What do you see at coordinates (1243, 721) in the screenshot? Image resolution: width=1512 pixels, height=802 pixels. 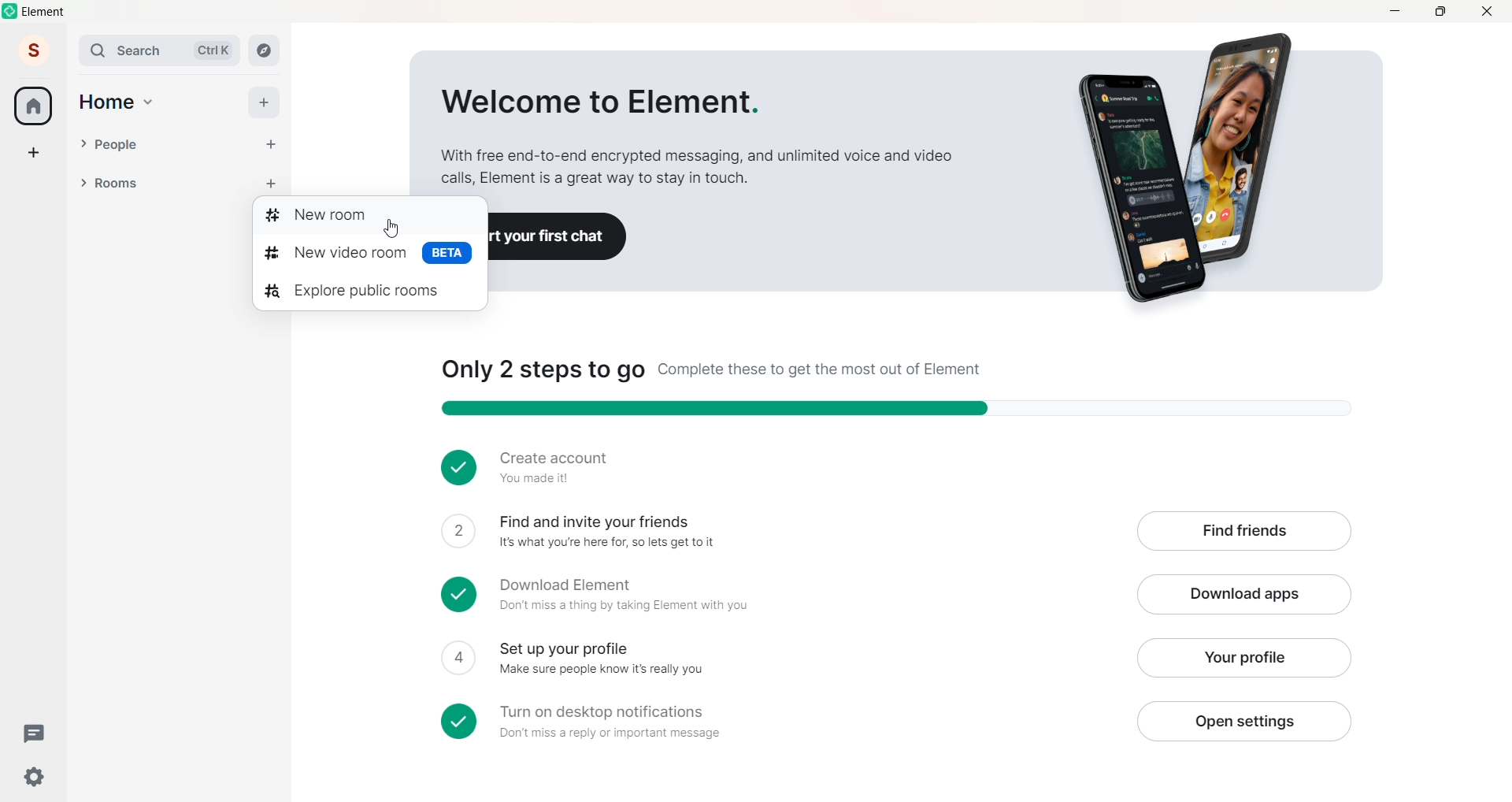 I see `Open Settings` at bounding box center [1243, 721].